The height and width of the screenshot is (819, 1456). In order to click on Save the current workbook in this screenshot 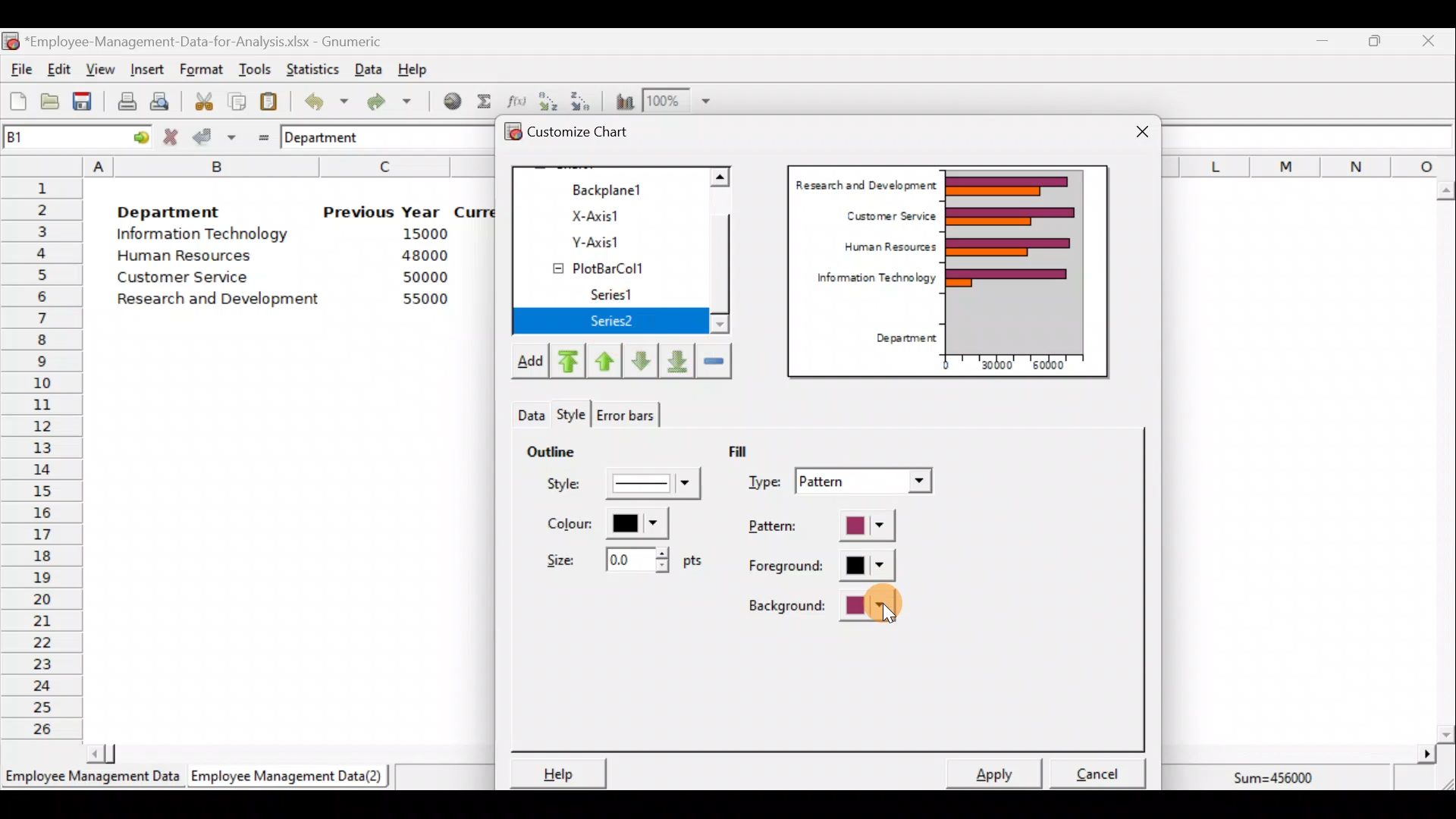, I will do `click(87, 104)`.